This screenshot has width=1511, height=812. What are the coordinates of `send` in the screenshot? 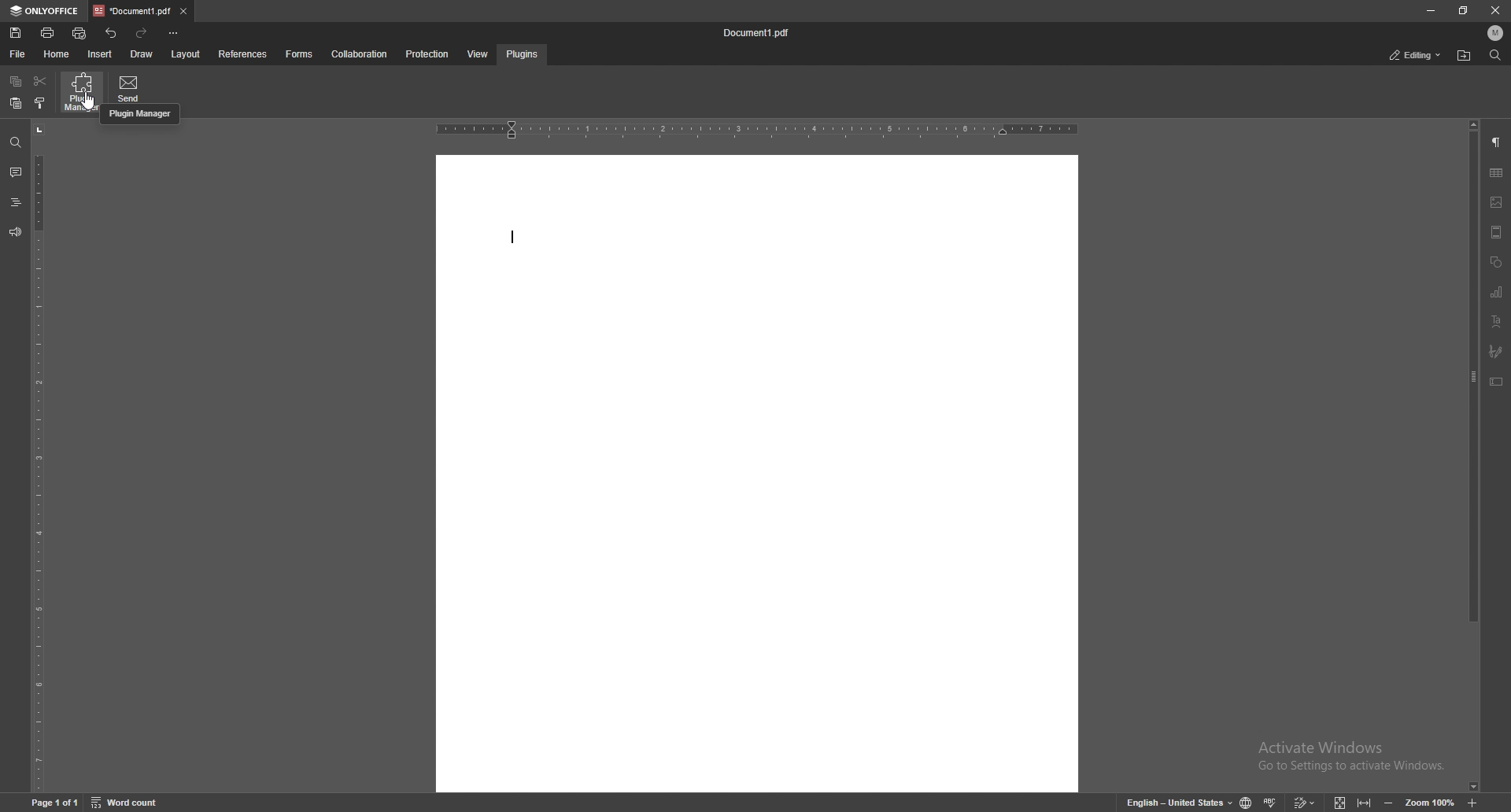 It's located at (131, 87).